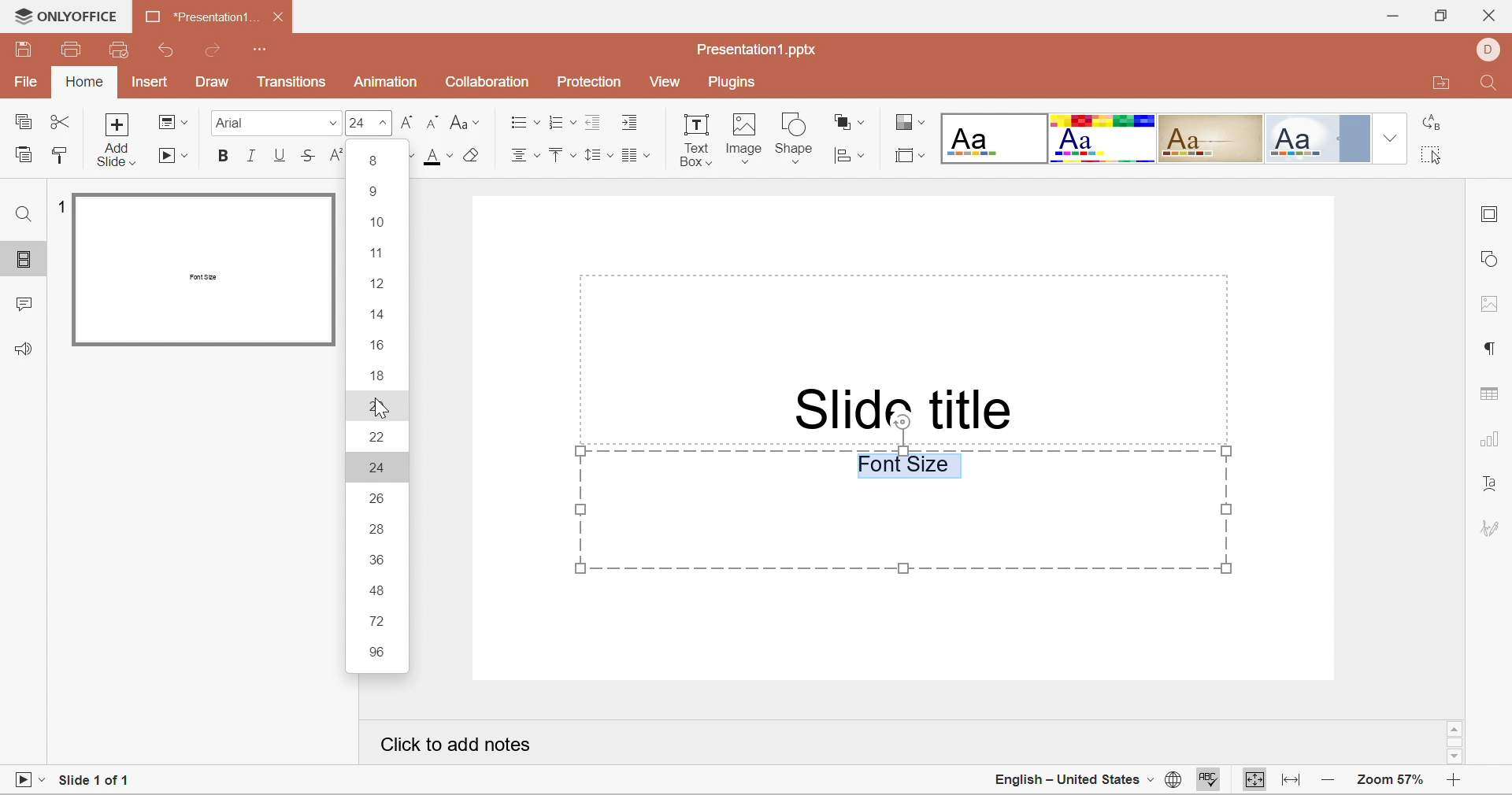  Describe the element at coordinates (1492, 490) in the screenshot. I see `Text Art settings` at that location.